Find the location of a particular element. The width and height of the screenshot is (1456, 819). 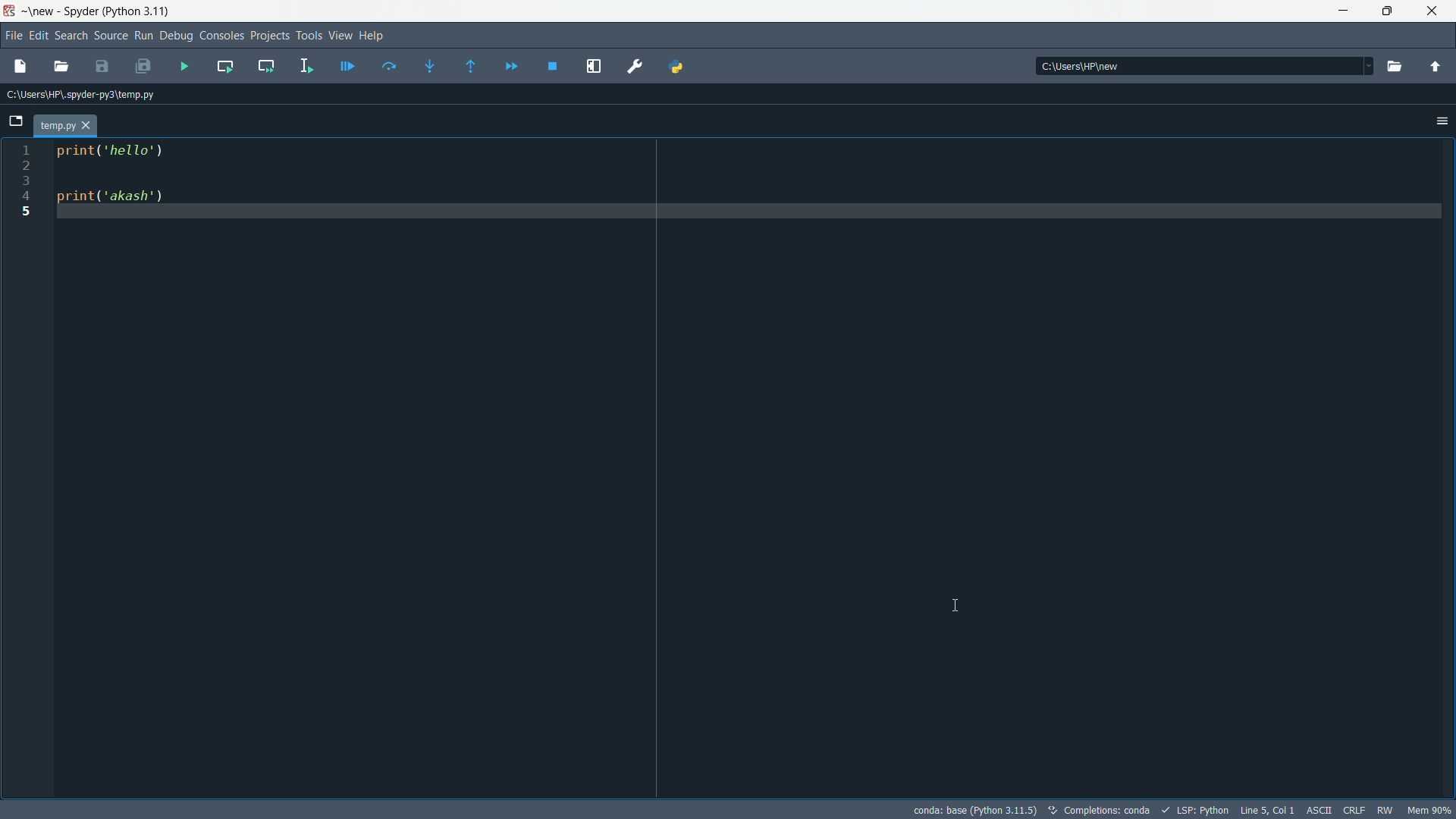

LSP:Python is located at coordinates (1202, 811).